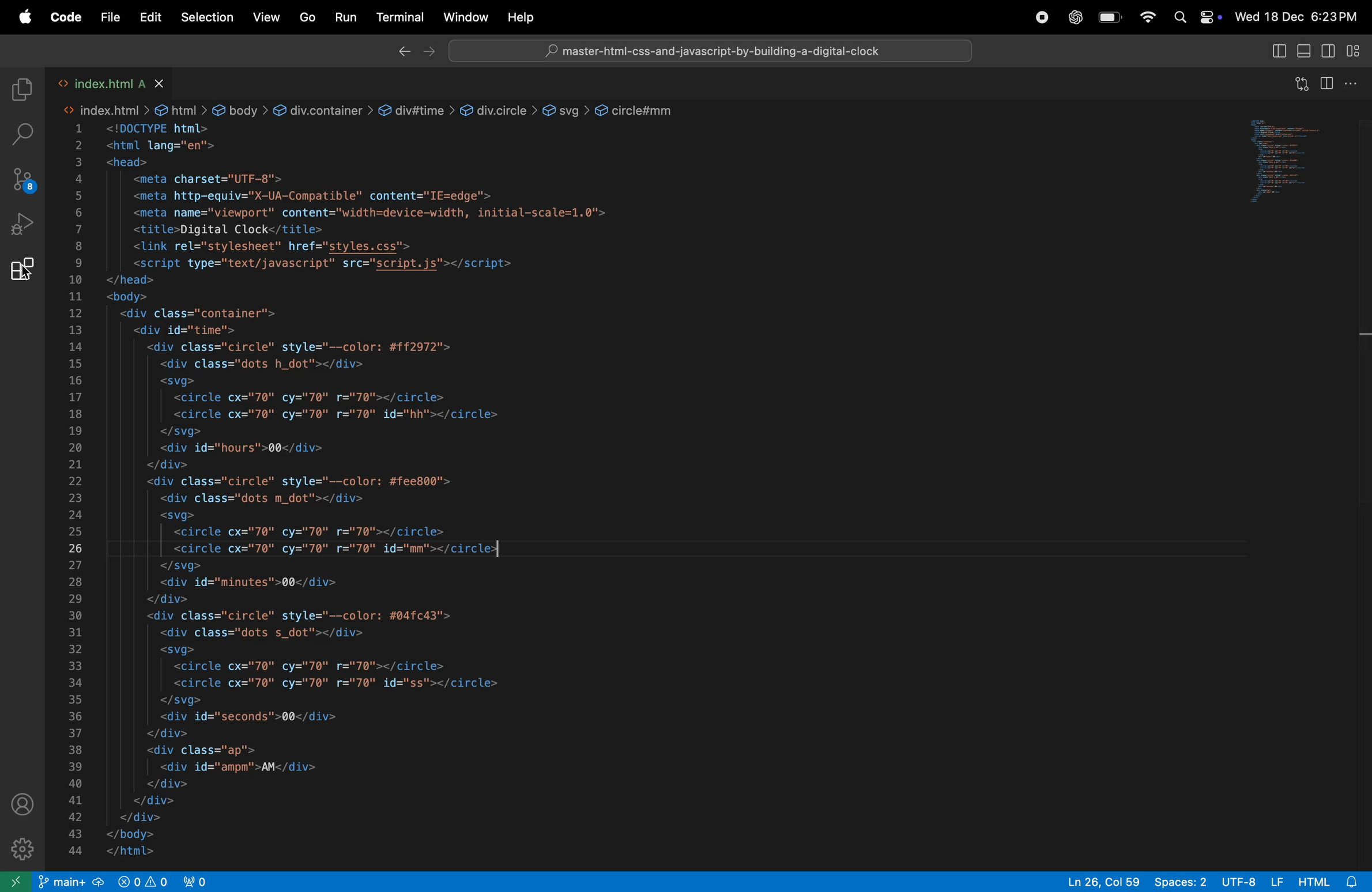 This screenshot has width=1372, height=892. I want to click on cursor, so click(24, 273).